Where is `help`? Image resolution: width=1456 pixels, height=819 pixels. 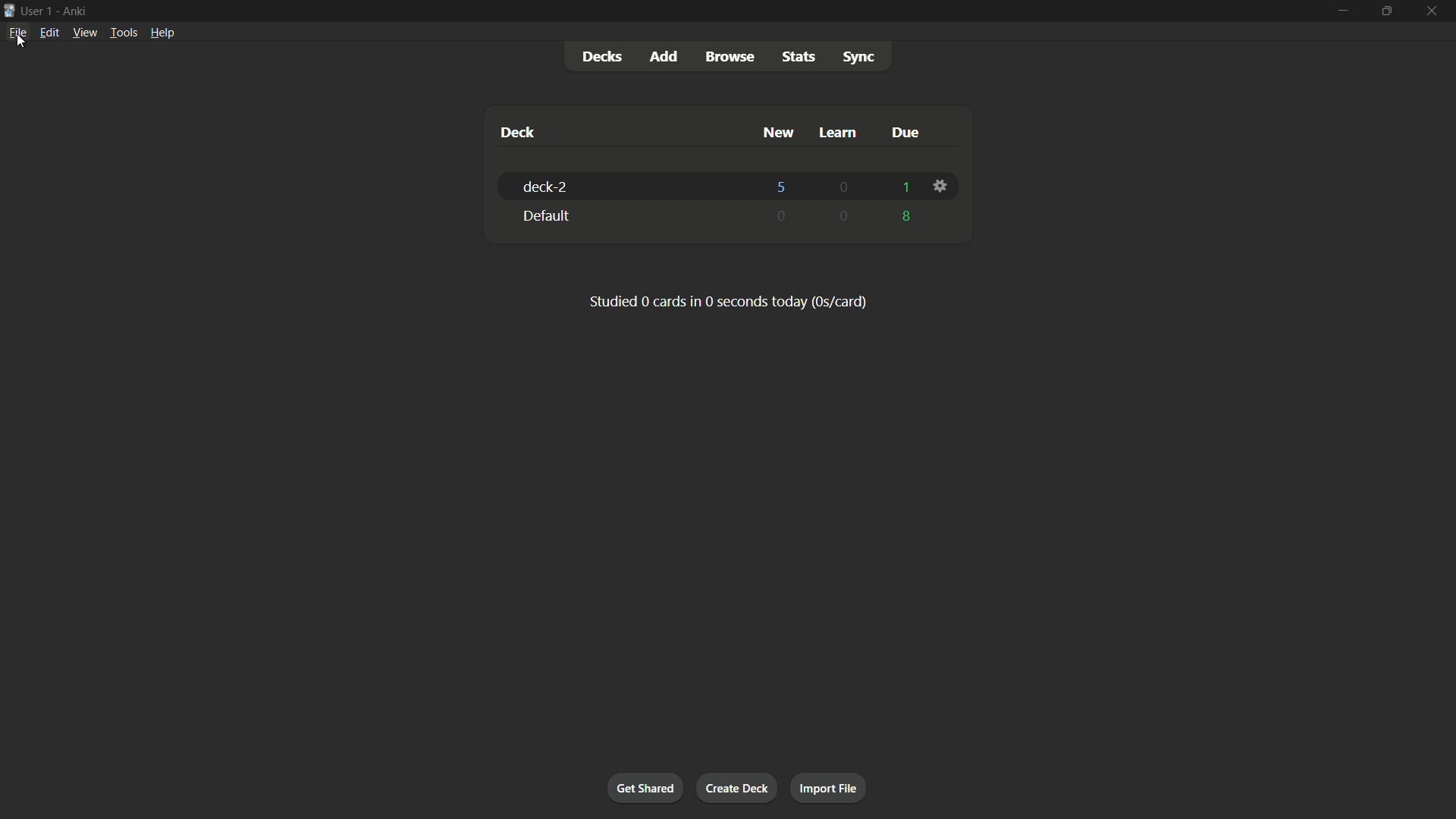
help is located at coordinates (163, 33).